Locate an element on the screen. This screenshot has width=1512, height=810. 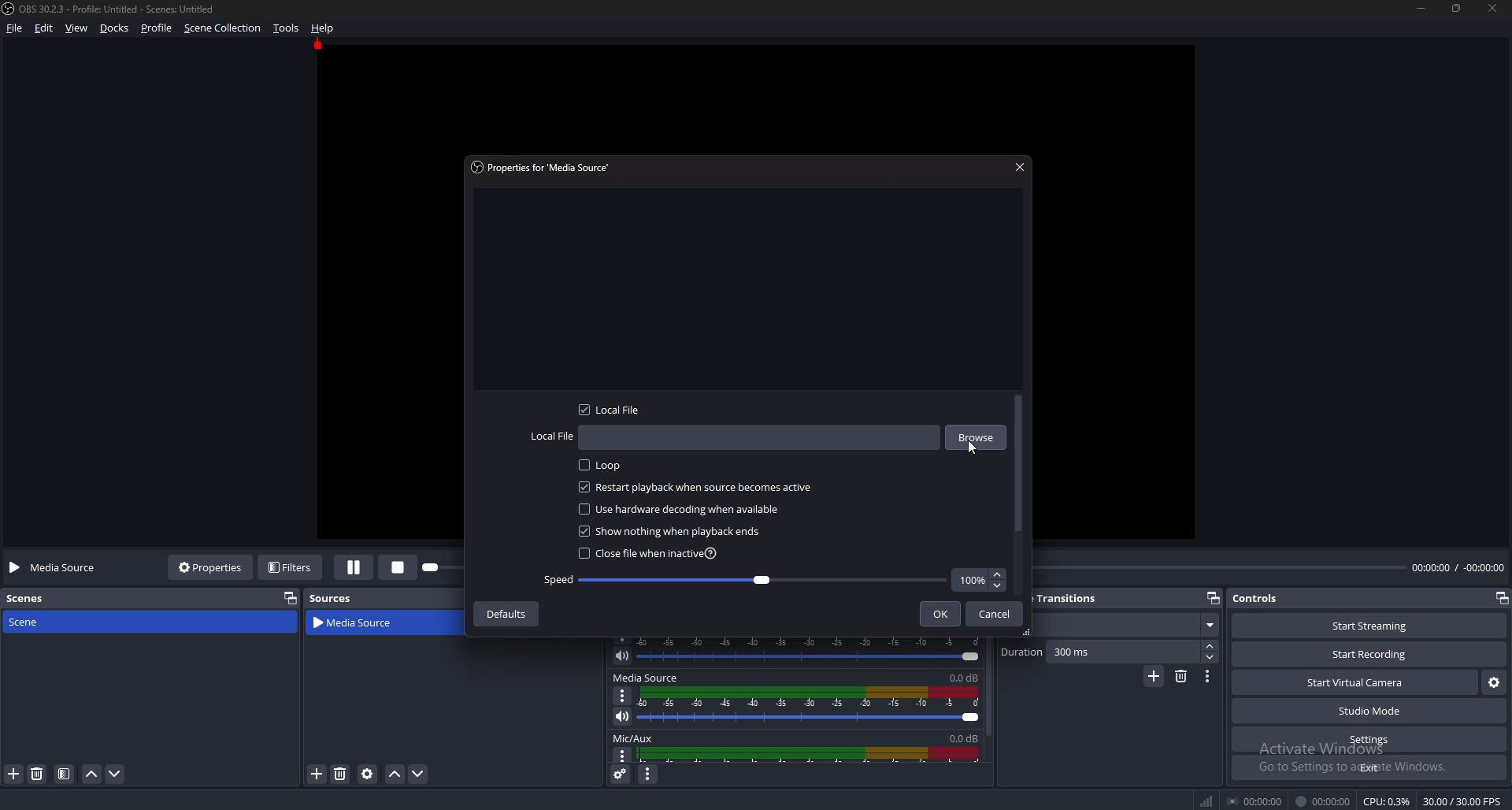
Start virtual camera is located at coordinates (1354, 682).